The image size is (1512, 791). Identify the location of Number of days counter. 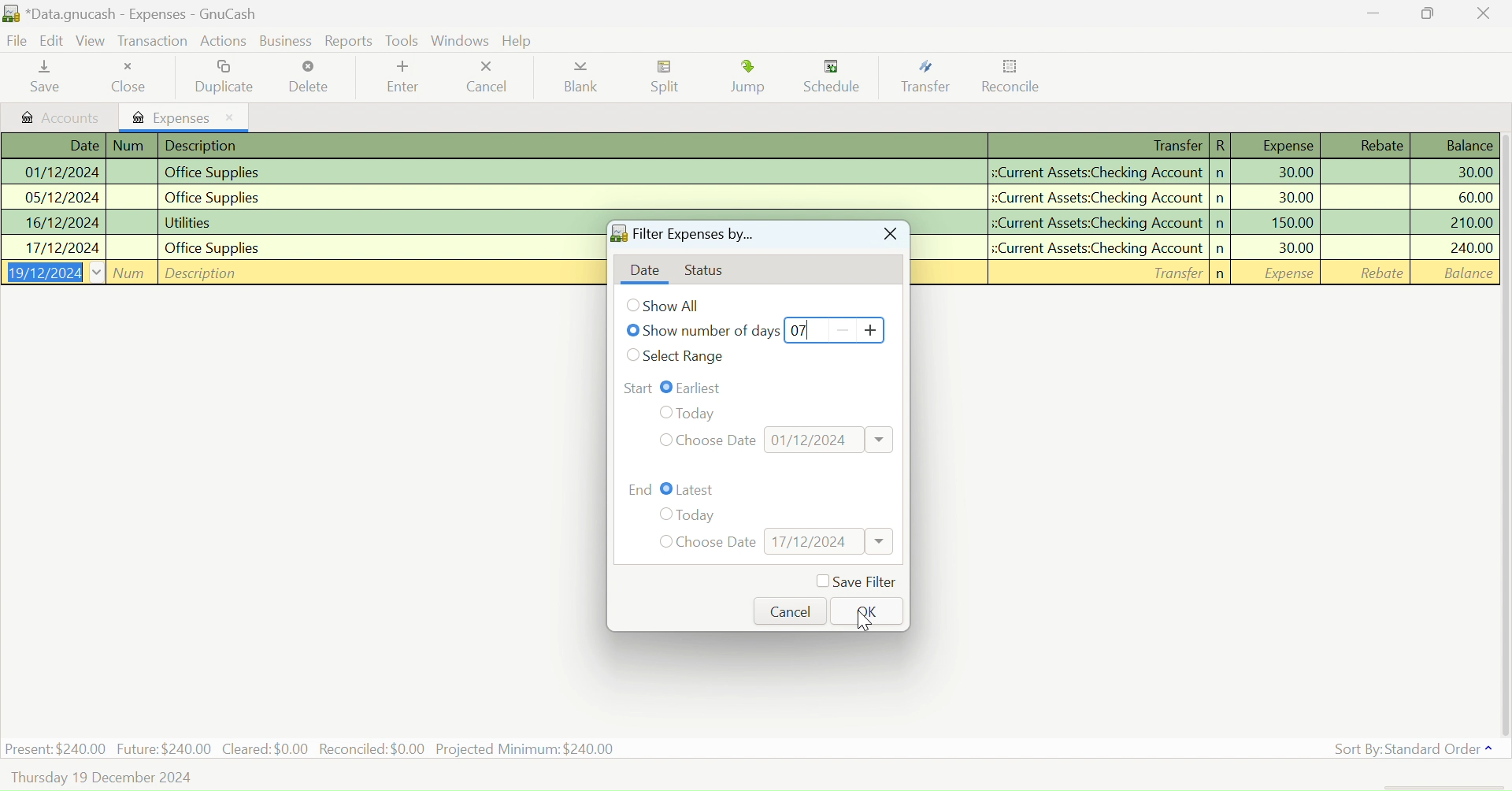
(835, 329).